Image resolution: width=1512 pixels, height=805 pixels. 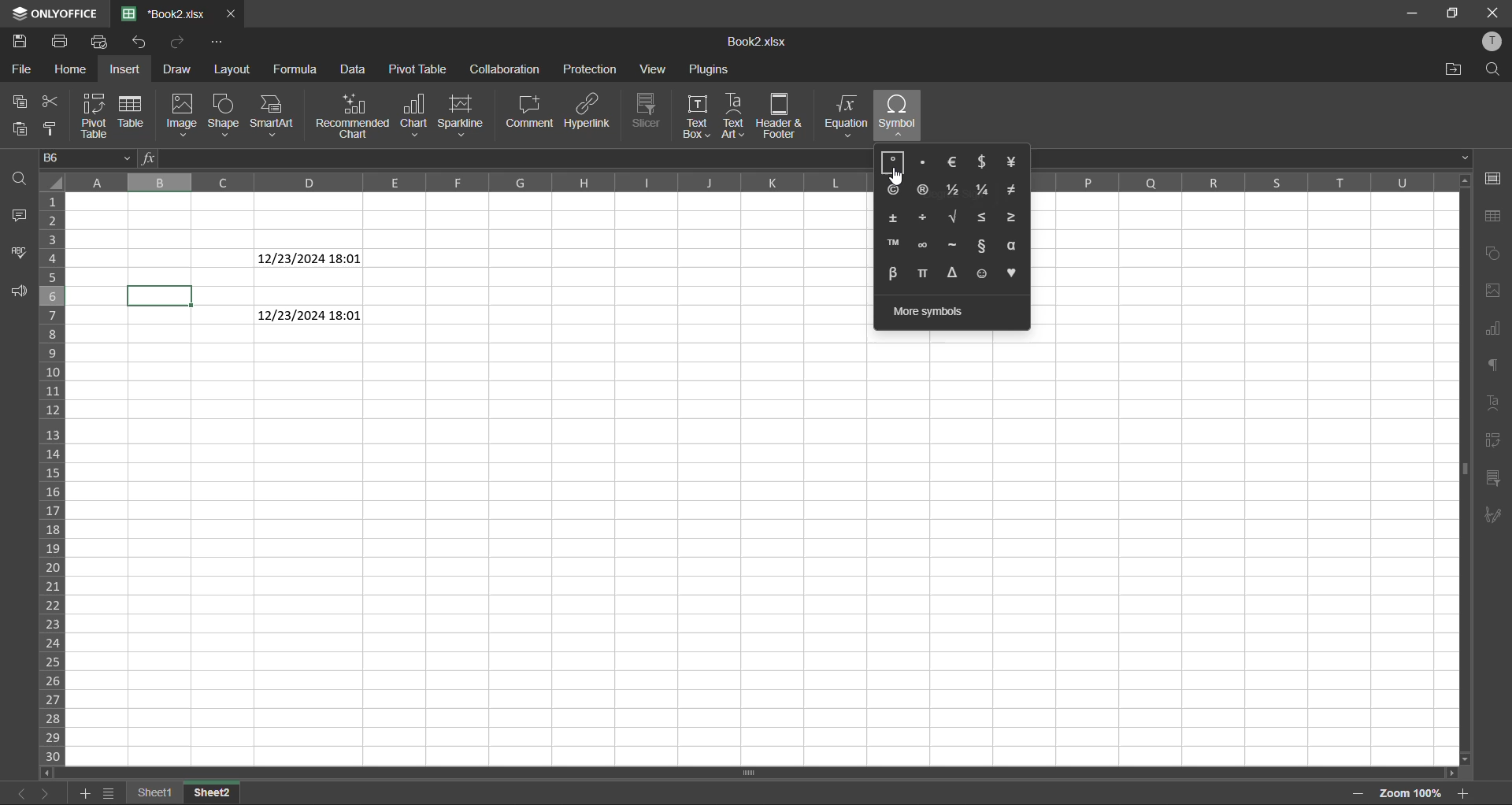 I want to click on not equal to, so click(x=1017, y=190).